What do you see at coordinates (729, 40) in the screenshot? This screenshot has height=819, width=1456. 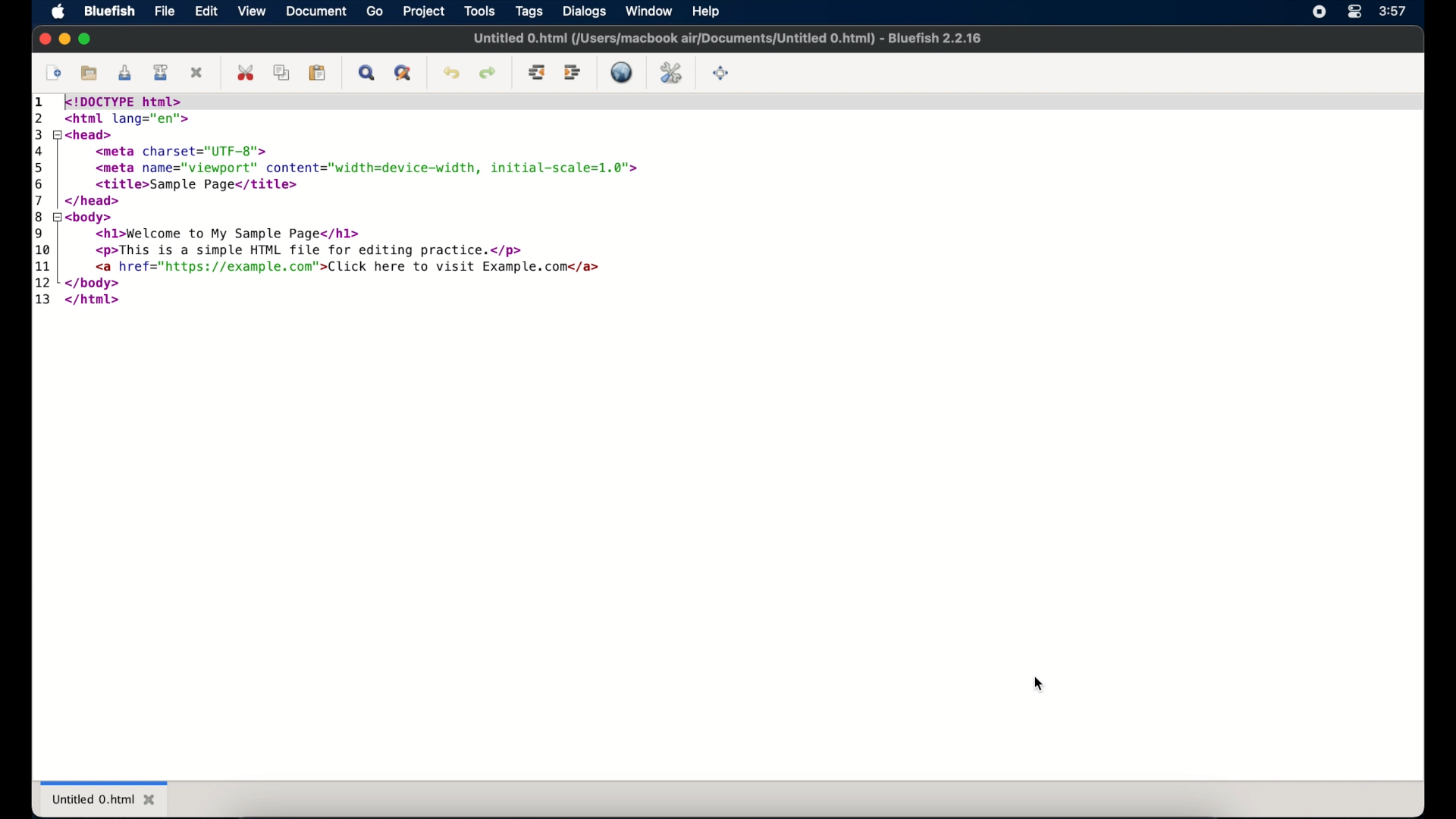 I see `Untitled 0.html (/Users/macbook air/Documents/Untitied 0.html) - Bluefish 2.2.16` at bounding box center [729, 40].